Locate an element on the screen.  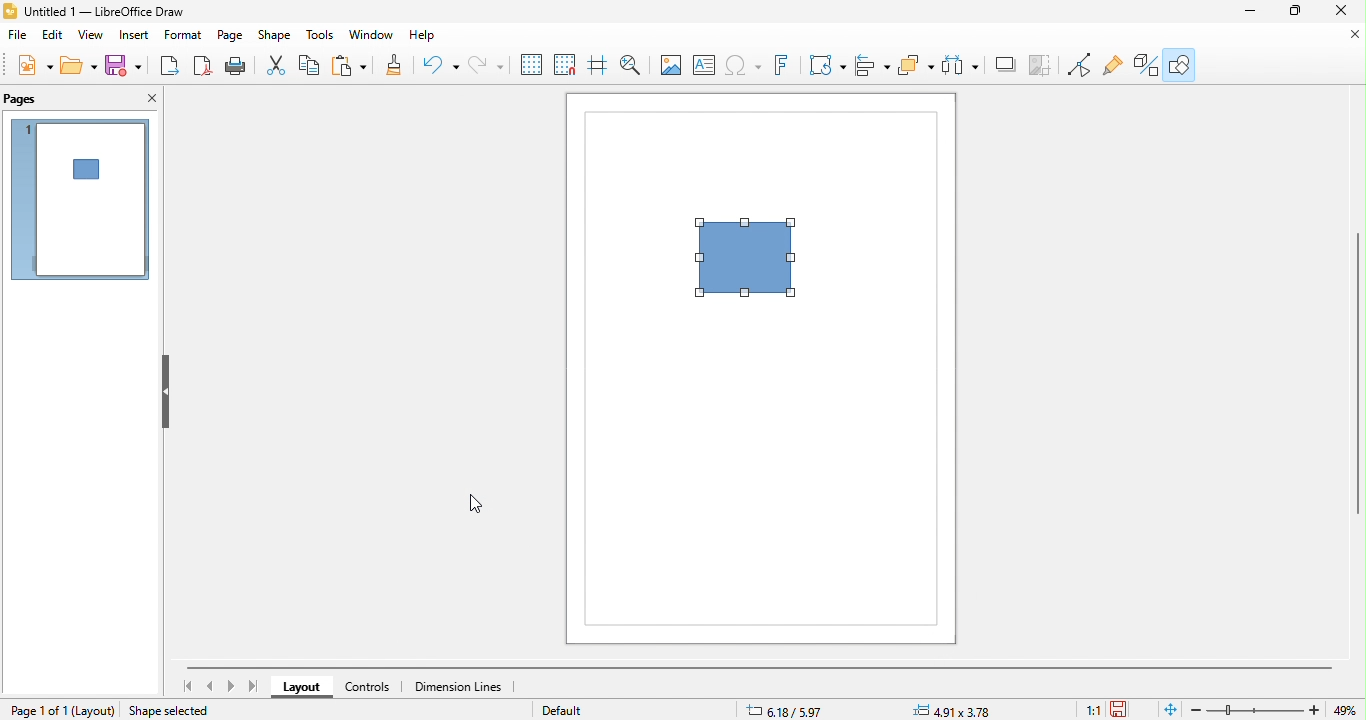
window is located at coordinates (372, 38).